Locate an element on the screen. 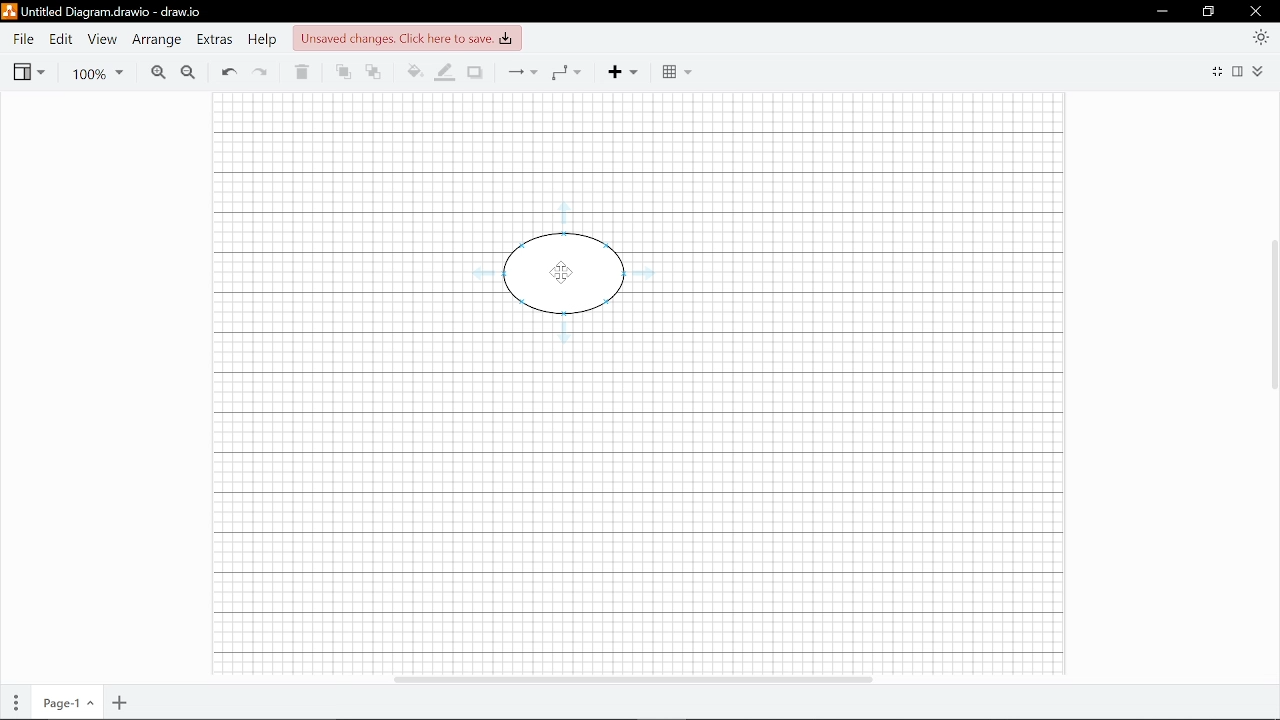  To back is located at coordinates (374, 73).